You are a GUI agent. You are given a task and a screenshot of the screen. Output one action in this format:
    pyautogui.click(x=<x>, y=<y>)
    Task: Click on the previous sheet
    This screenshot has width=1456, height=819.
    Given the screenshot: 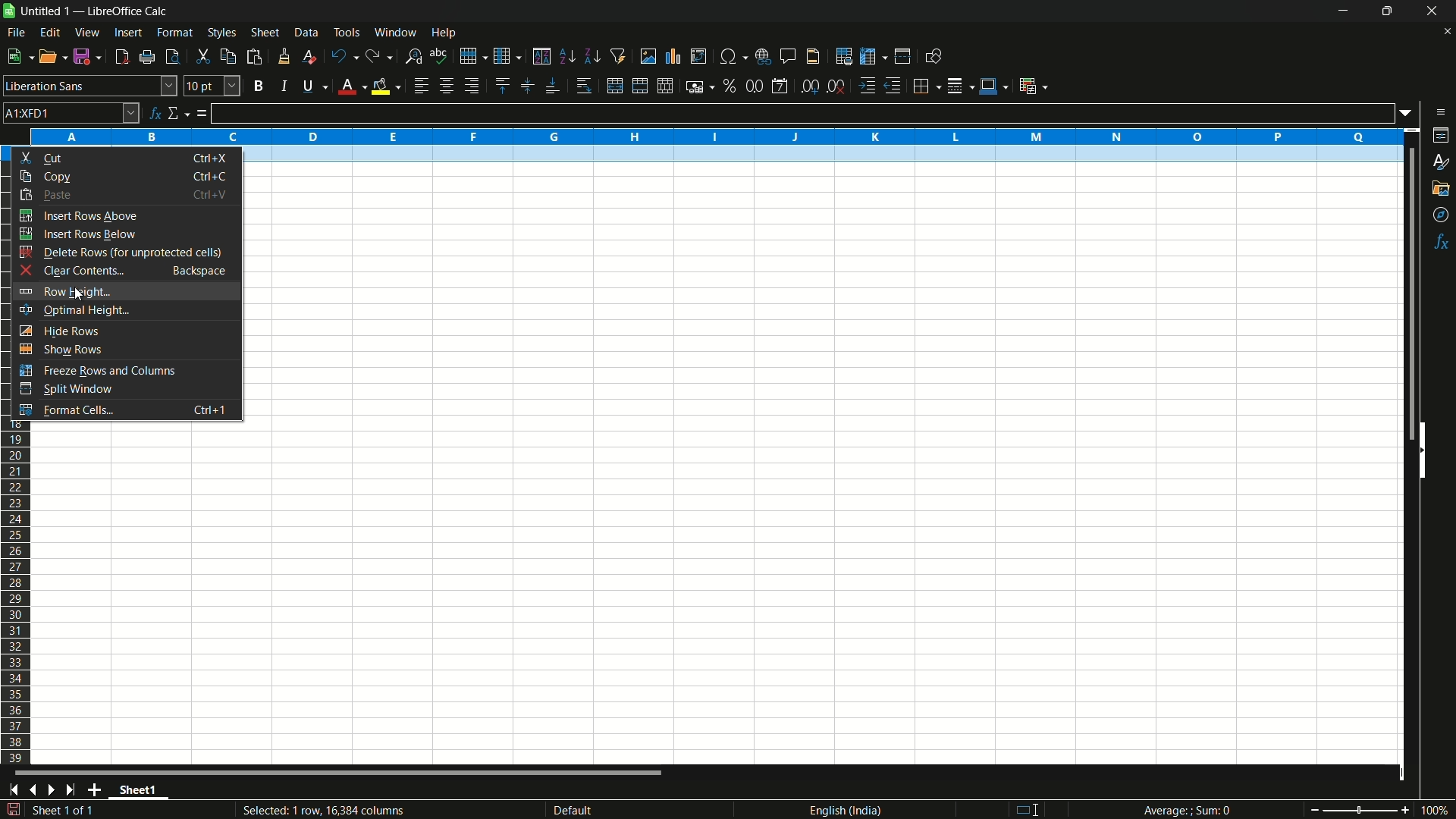 What is the action you would take?
    pyautogui.click(x=32, y=790)
    